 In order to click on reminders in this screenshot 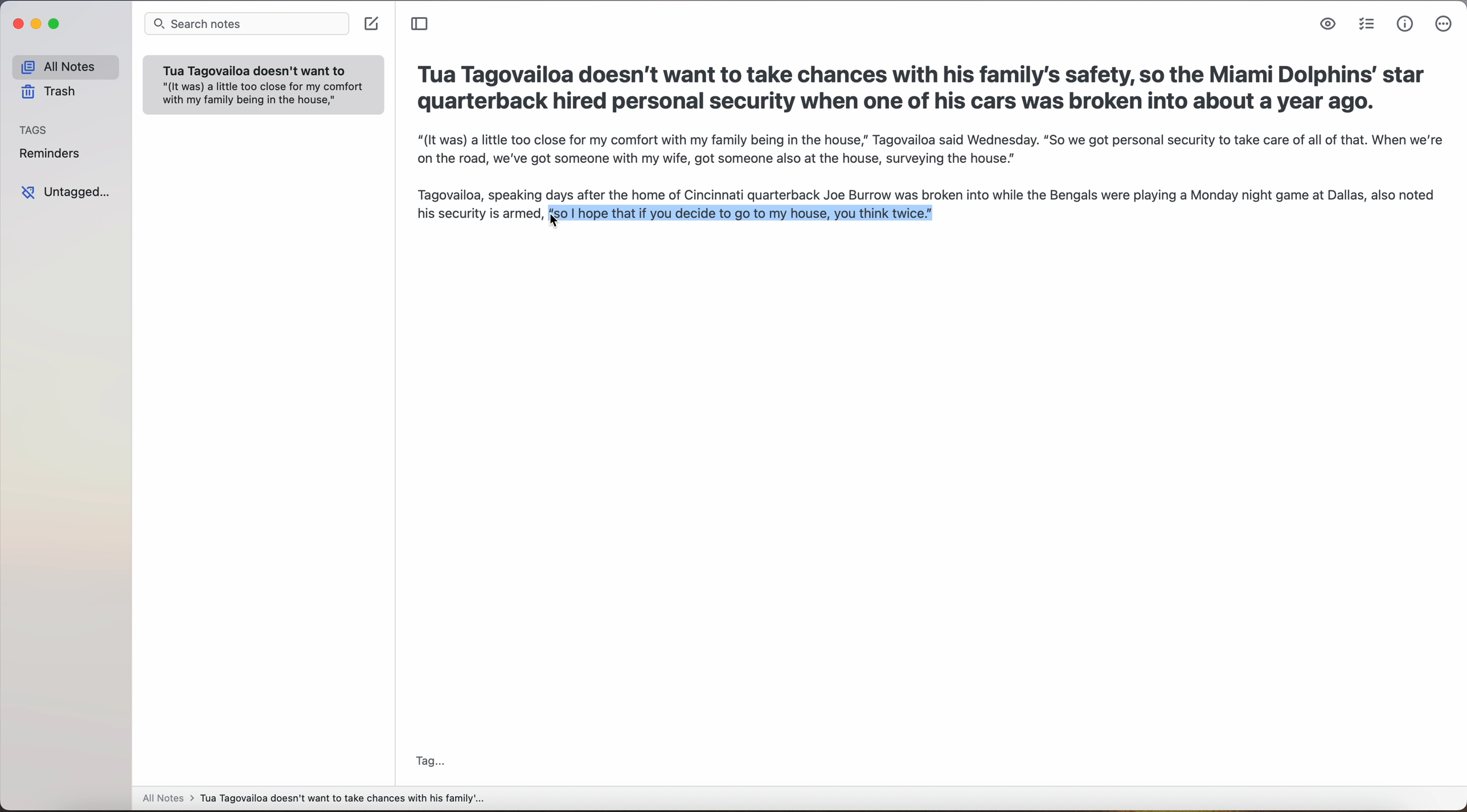, I will do `click(52, 154)`.